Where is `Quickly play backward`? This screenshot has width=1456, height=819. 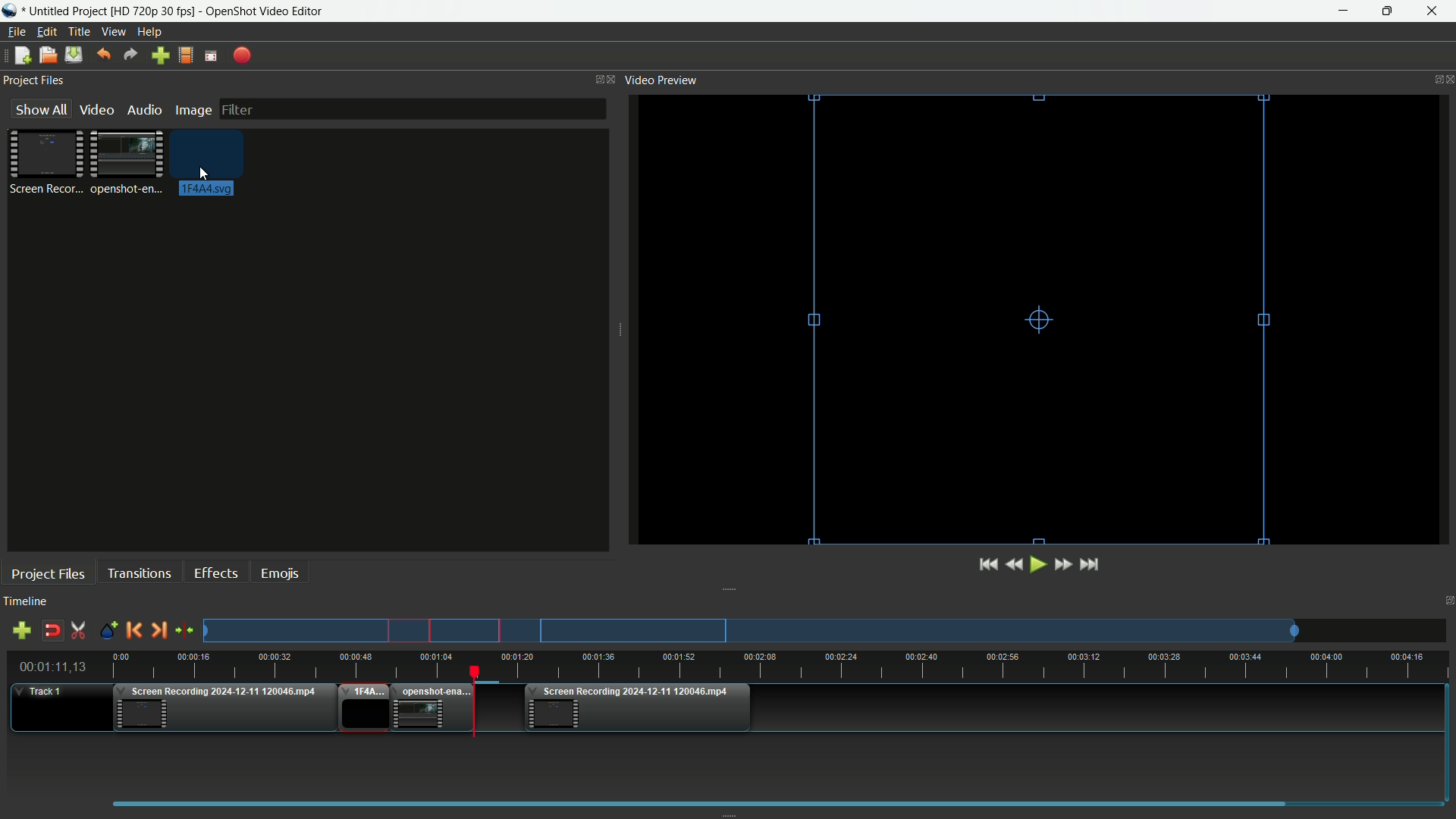
Quickly play backward is located at coordinates (1018, 564).